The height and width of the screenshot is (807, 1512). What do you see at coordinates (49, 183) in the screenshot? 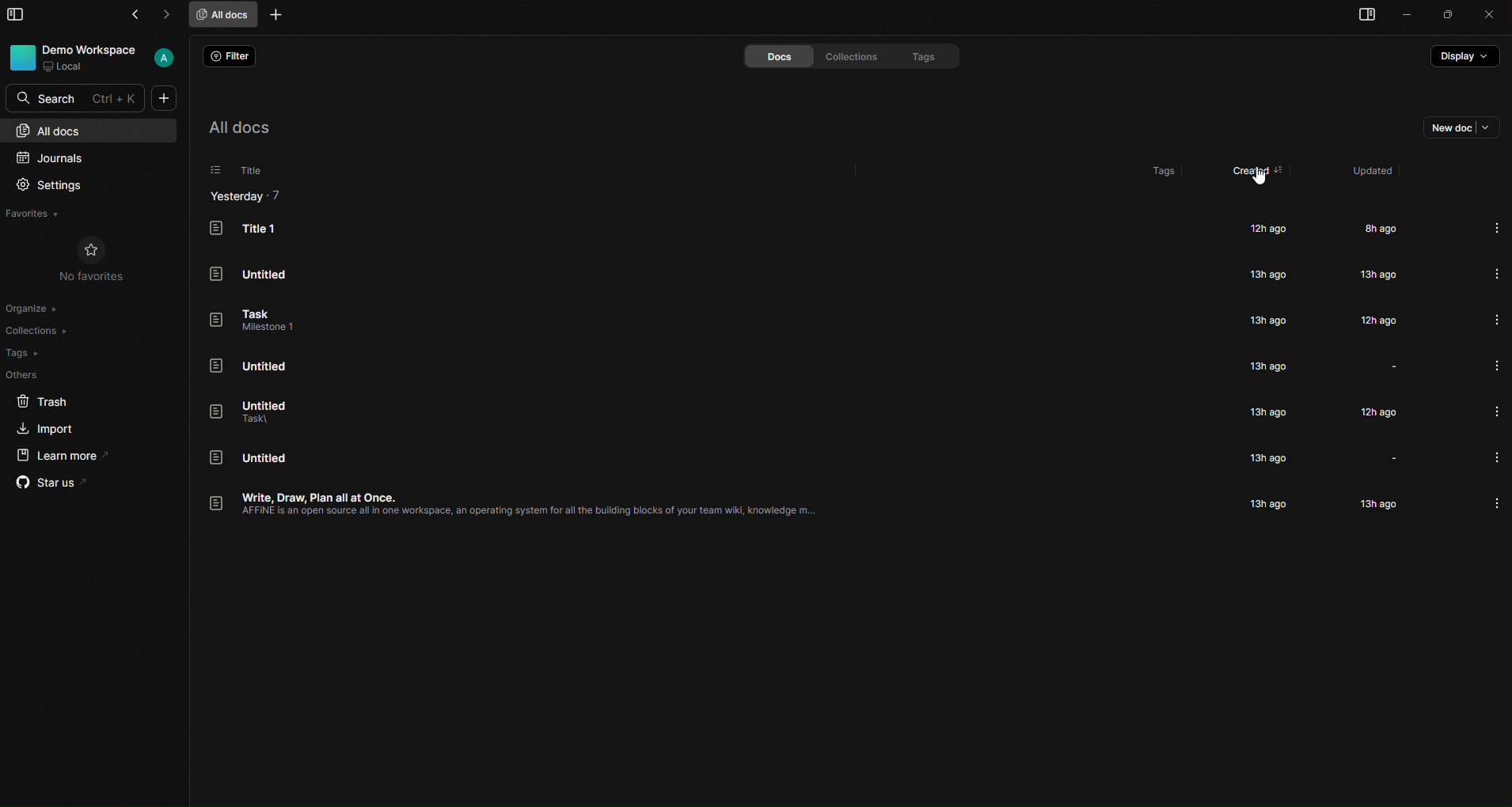
I see `settings` at bounding box center [49, 183].